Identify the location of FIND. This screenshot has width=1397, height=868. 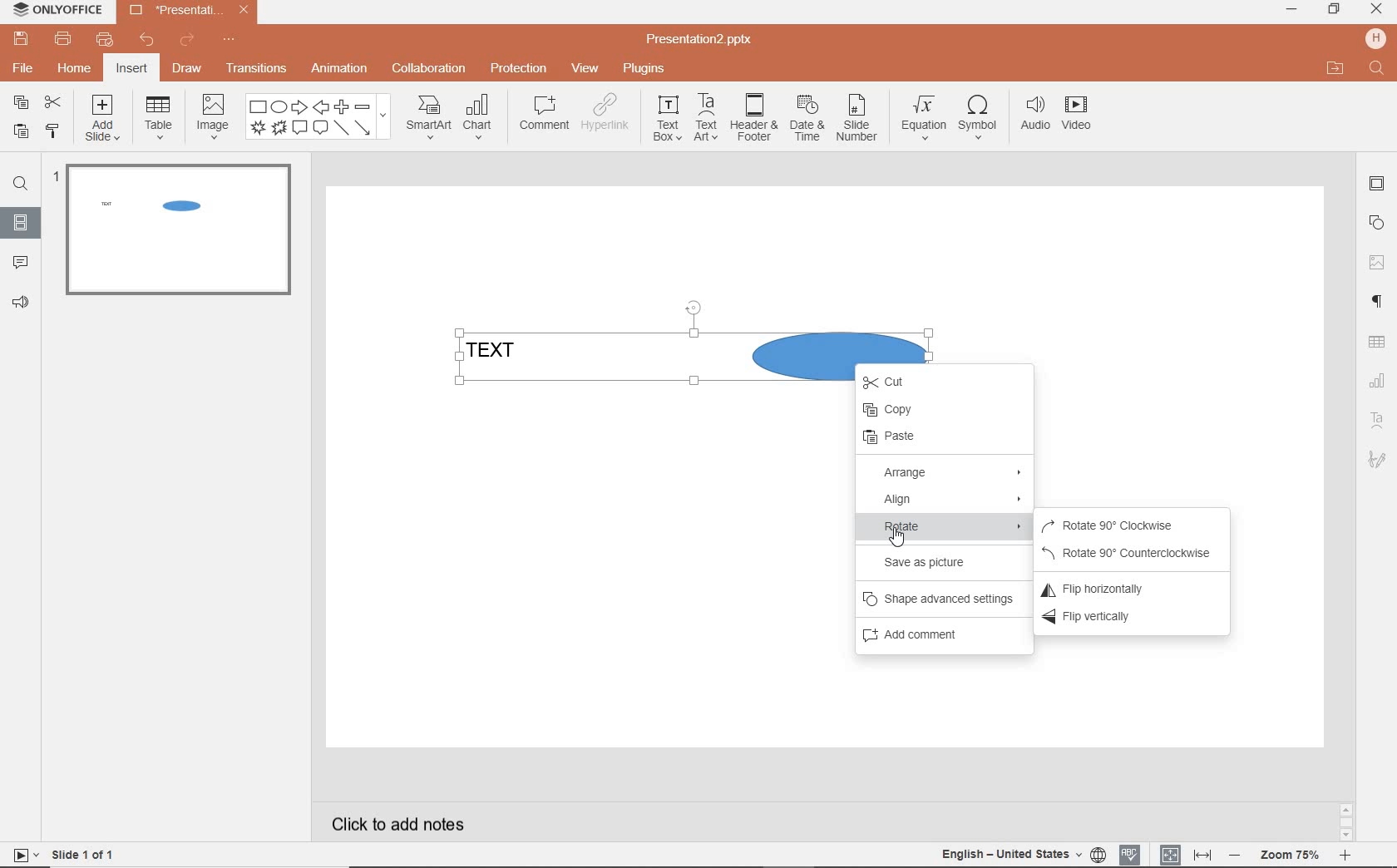
(18, 186).